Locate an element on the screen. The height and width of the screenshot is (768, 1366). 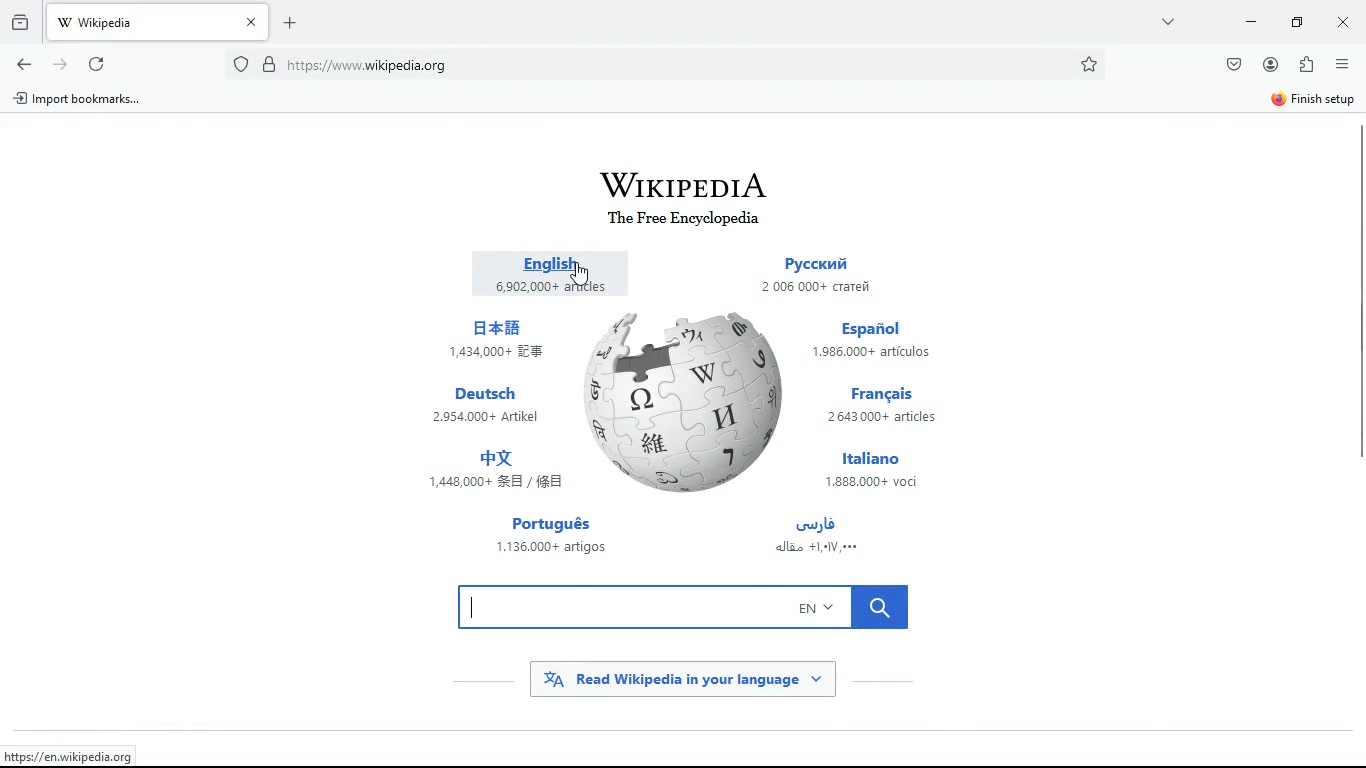
tab is located at coordinates (161, 23).